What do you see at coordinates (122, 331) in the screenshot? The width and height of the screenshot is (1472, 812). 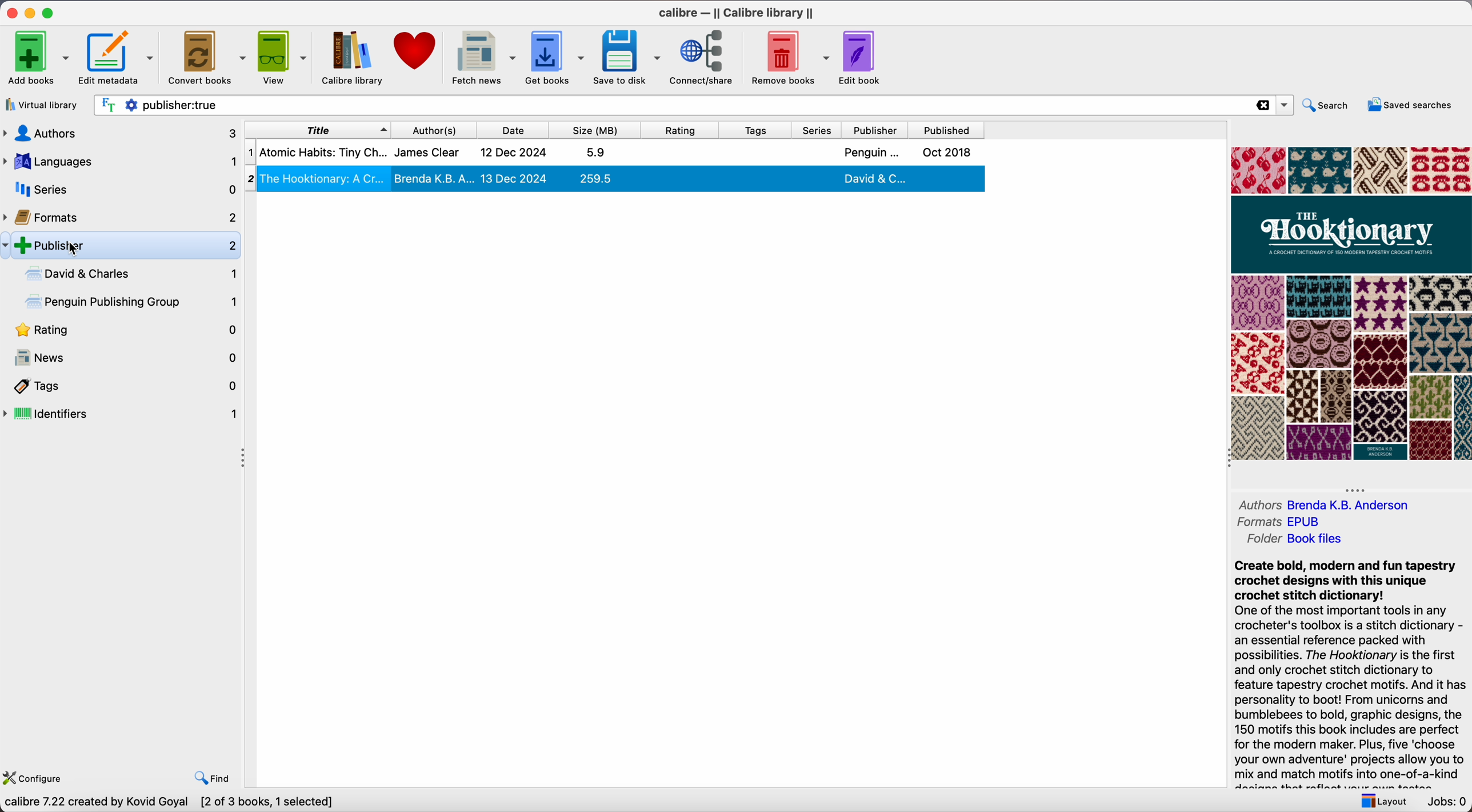 I see `rating` at bounding box center [122, 331].